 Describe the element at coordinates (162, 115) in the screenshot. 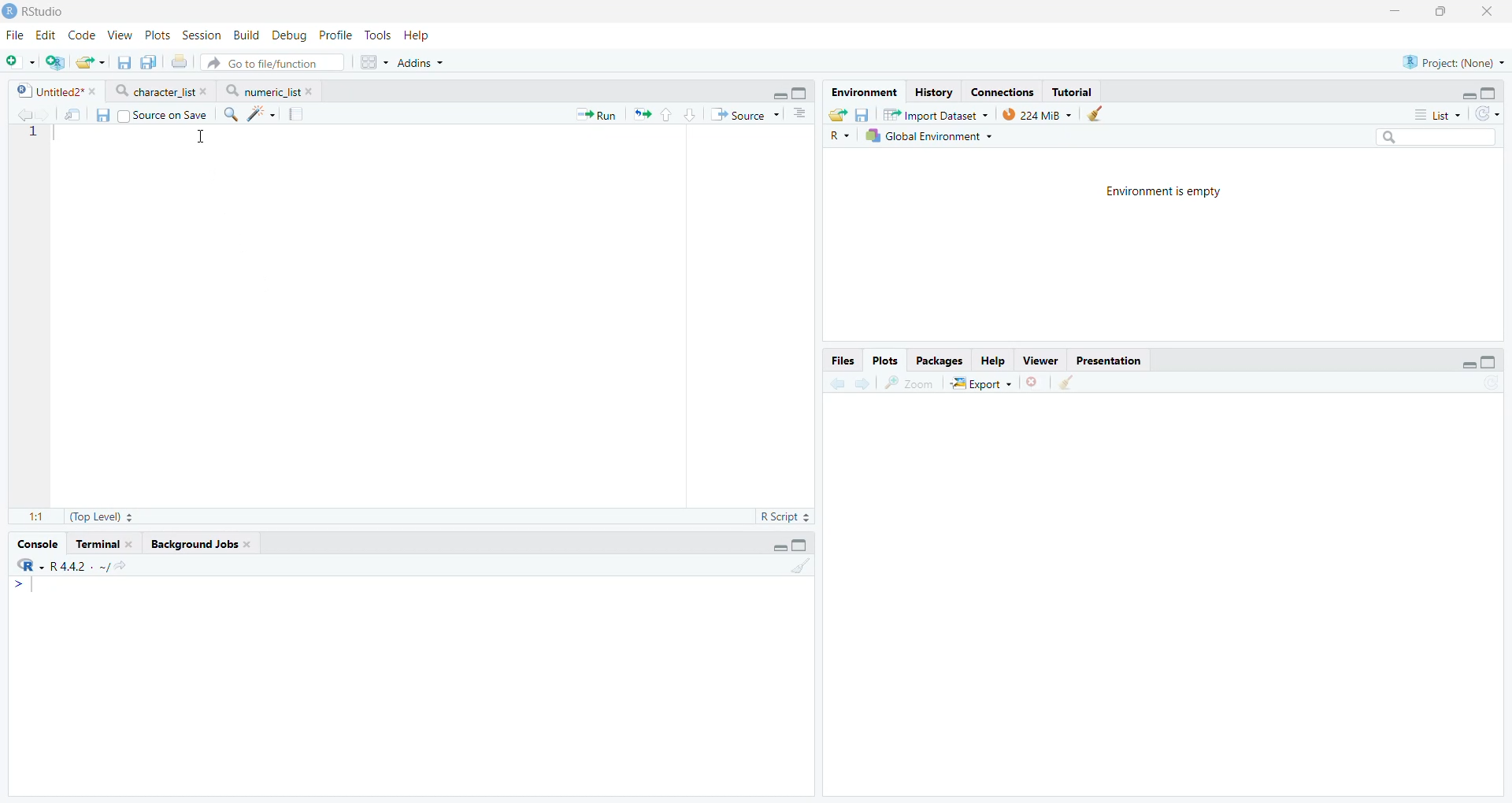

I see `Source on Save` at that location.